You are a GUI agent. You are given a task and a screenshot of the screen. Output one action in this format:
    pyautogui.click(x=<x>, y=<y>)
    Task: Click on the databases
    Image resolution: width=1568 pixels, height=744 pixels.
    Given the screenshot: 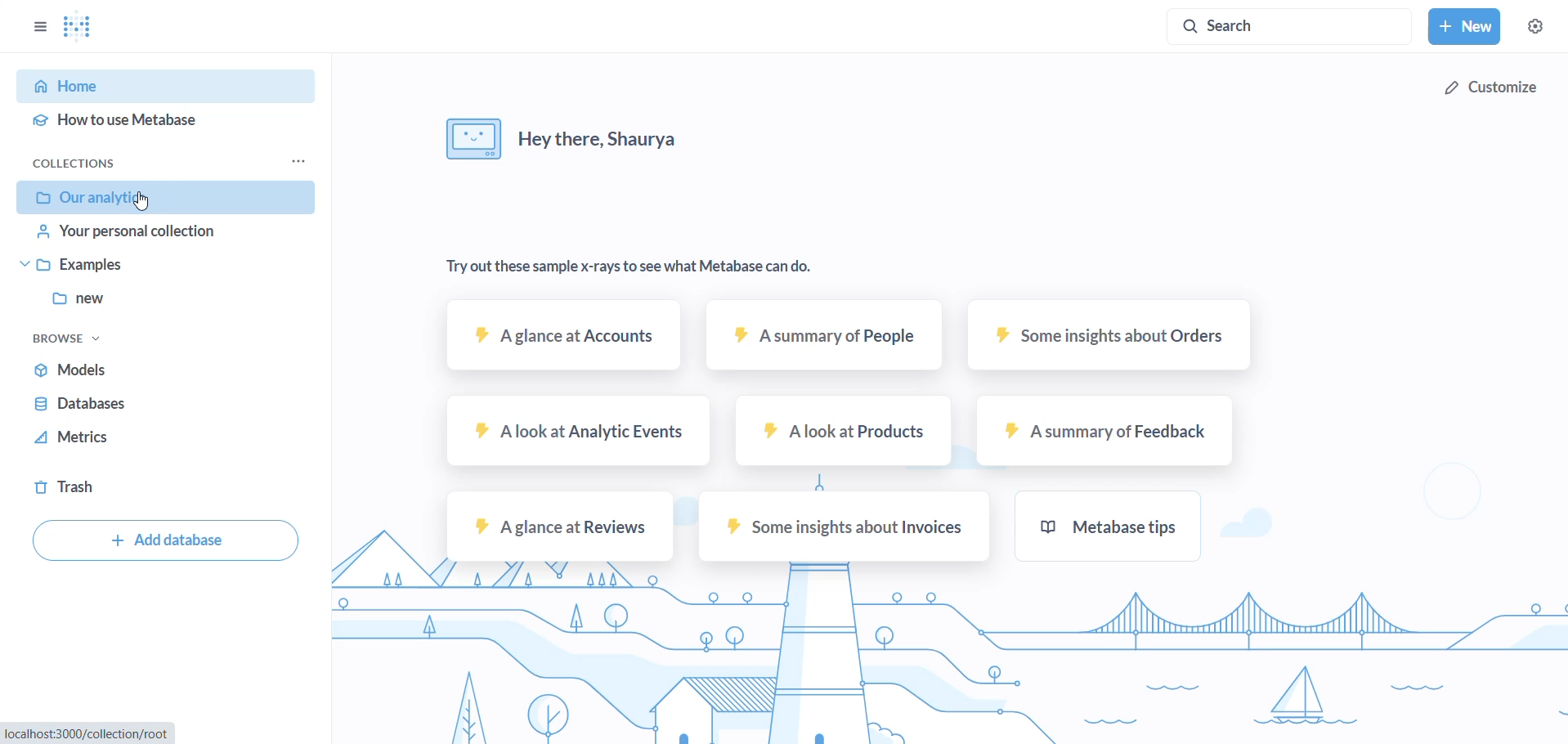 What is the action you would take?
    pyautogui.click(x=168, y=407)
    